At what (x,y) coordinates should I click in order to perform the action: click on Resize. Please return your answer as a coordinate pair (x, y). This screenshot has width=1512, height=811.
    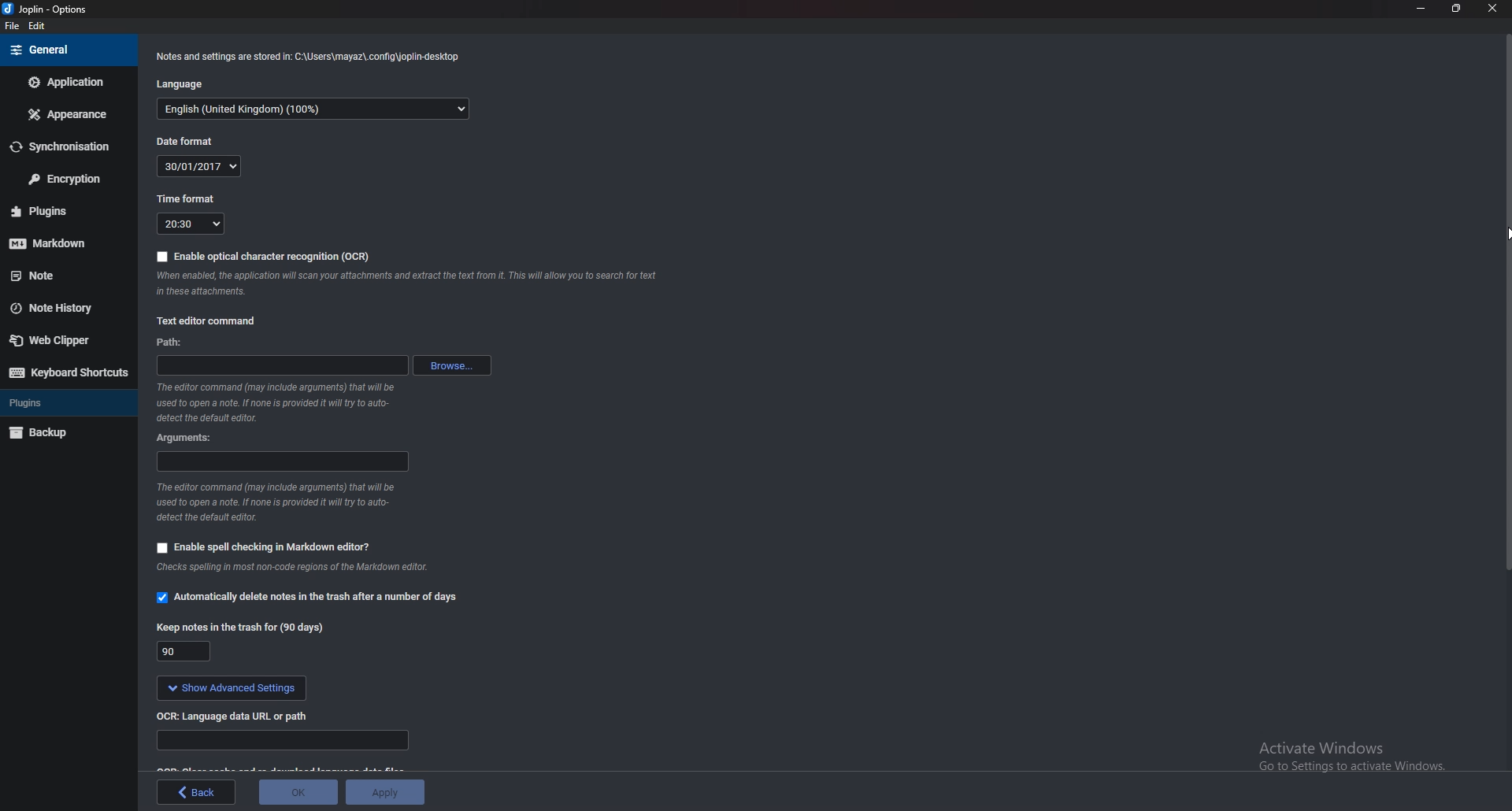
    Looking at the image, I should click on (1457, 8).